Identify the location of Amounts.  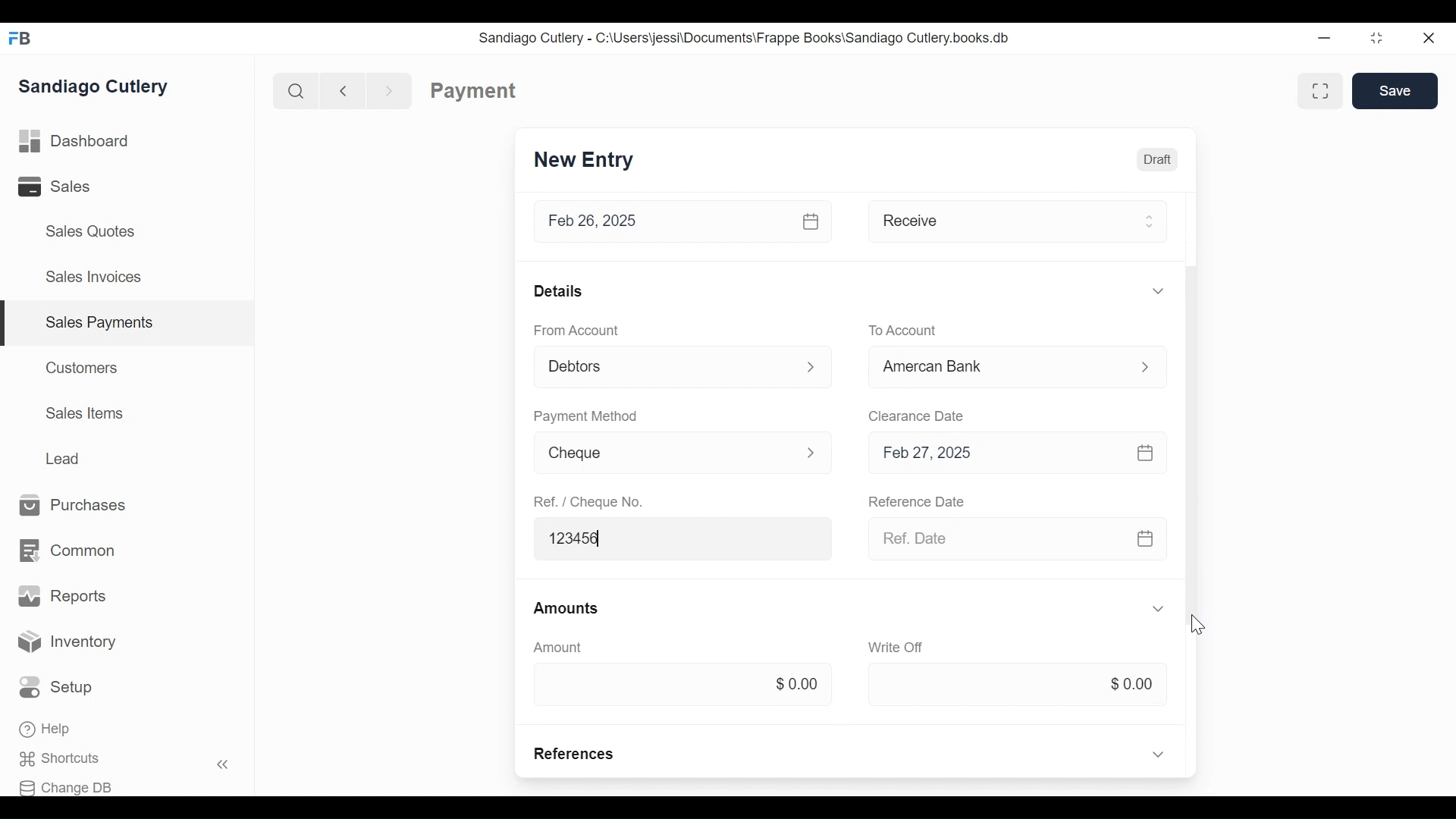
(568, 609).